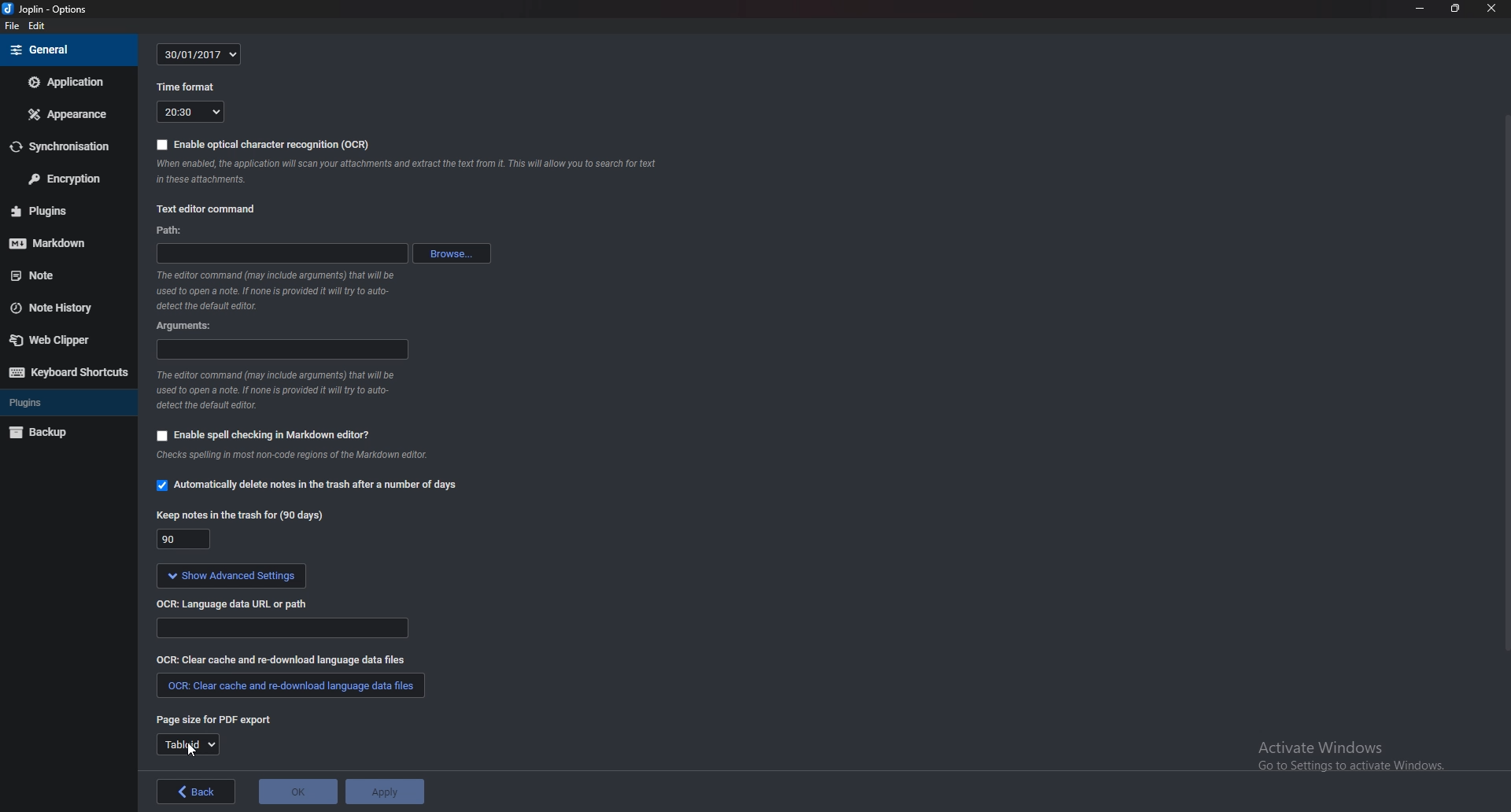 Image resolution: width=1511 pixels, height=812 pixels. I want to click on path, so click(278, 254).